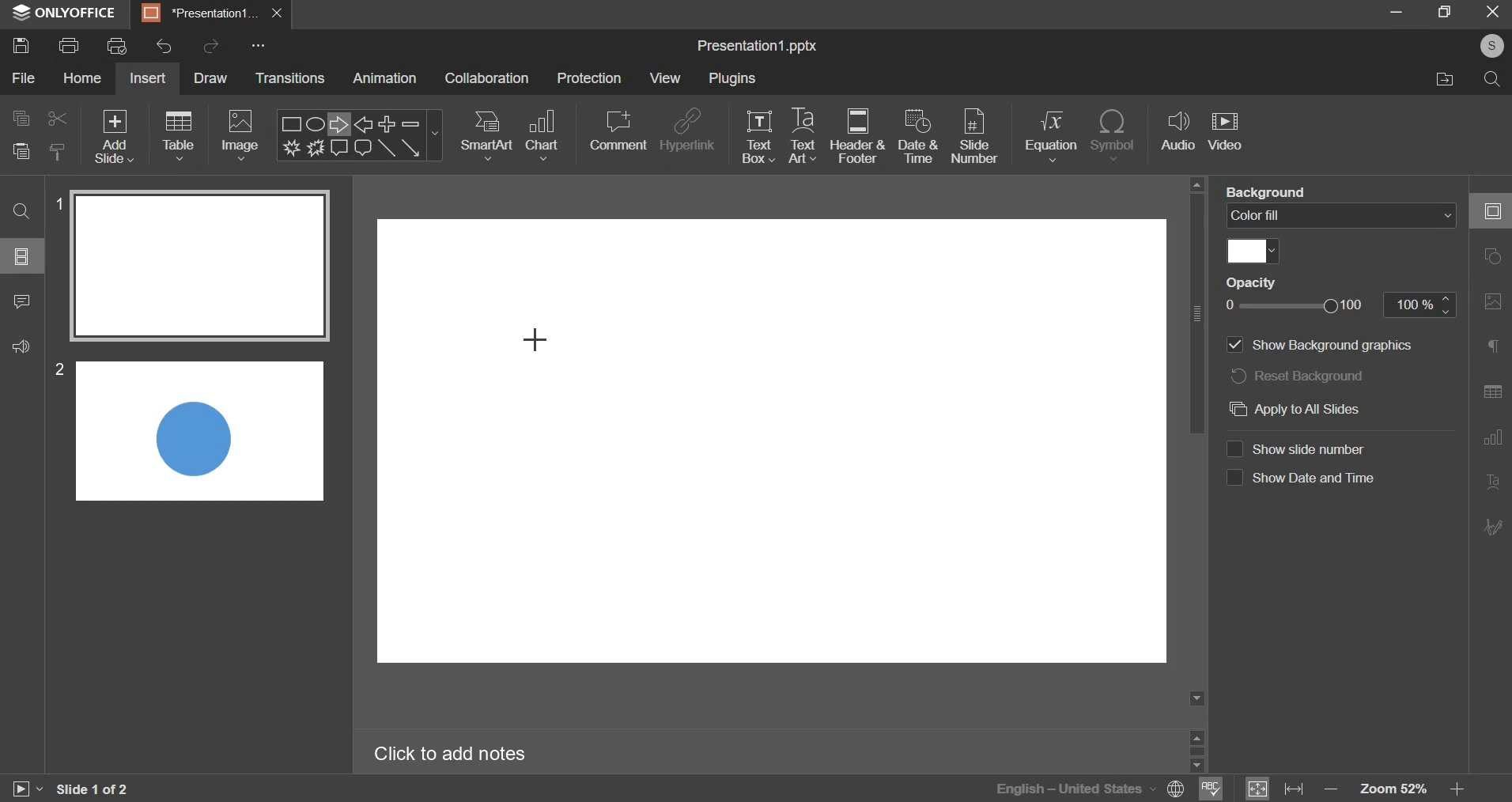 The height and width of the screenshot is (802, 1512). I want to click on slide number, so click(974, 137).